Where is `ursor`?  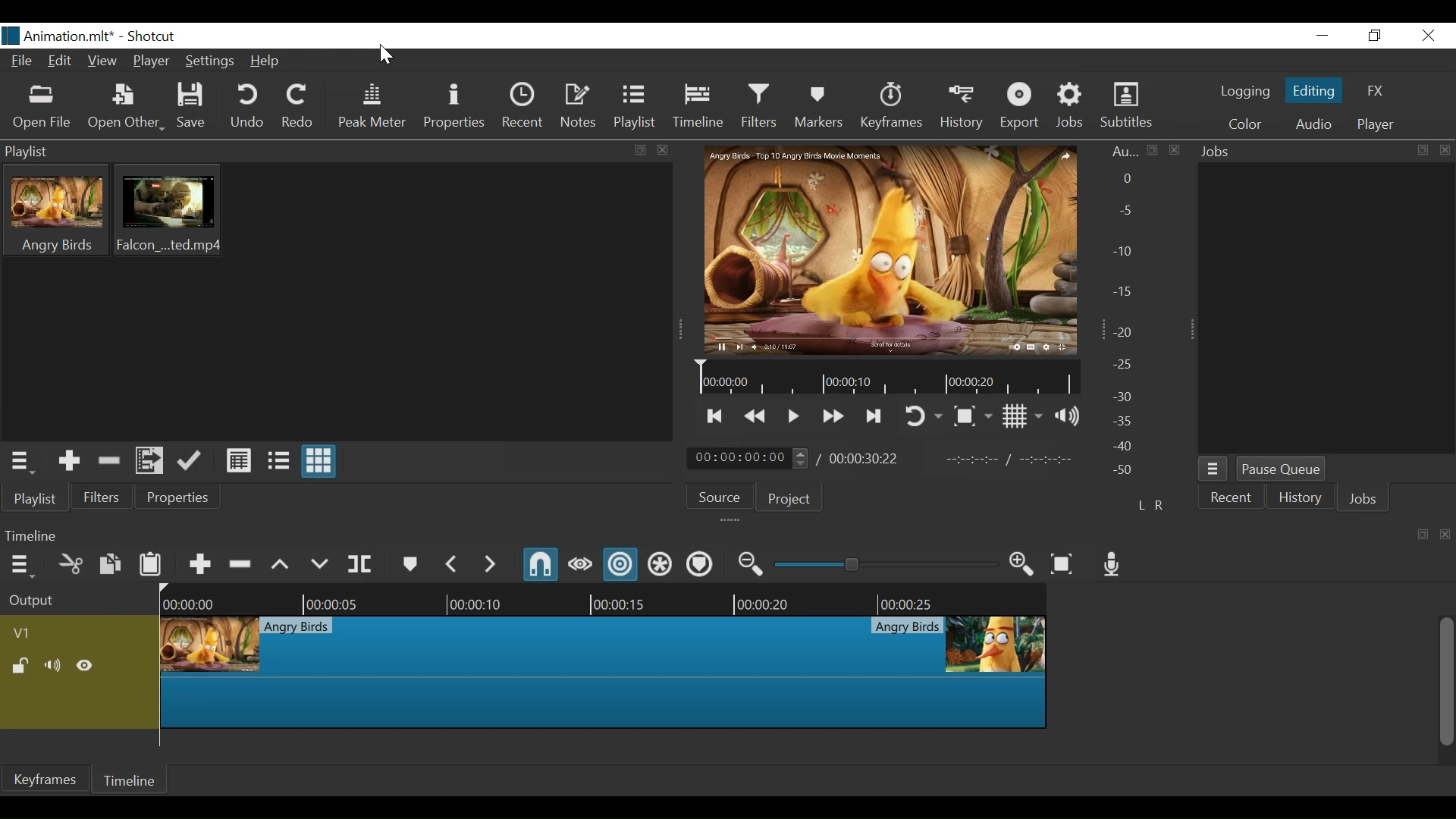 ursor is located at coordinates (384, 55).